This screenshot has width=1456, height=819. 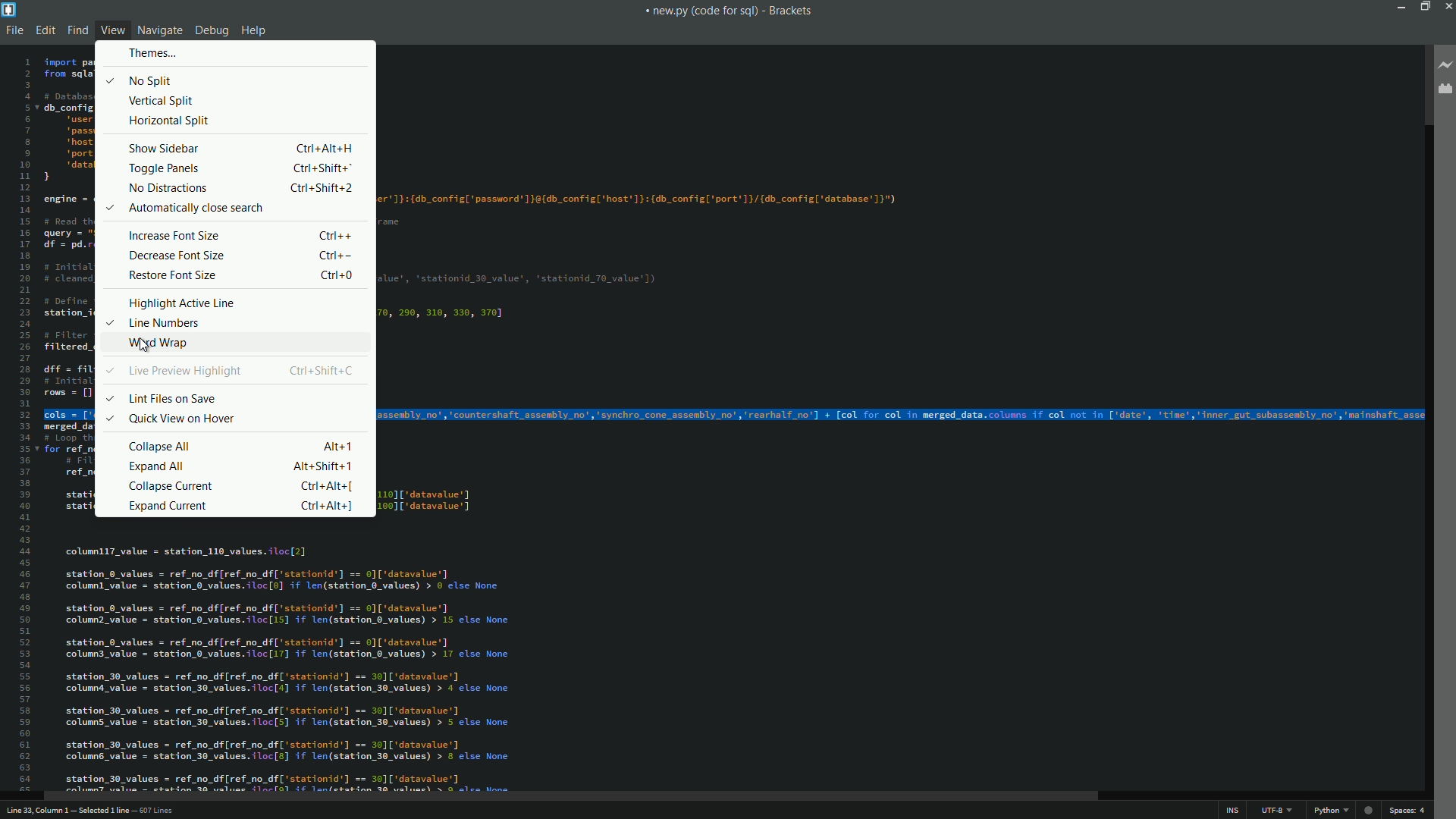 What do you see at coordinates (329, 487) in the screenshot?
I see `keyboard shortcut` at bounding box center [329, 487].